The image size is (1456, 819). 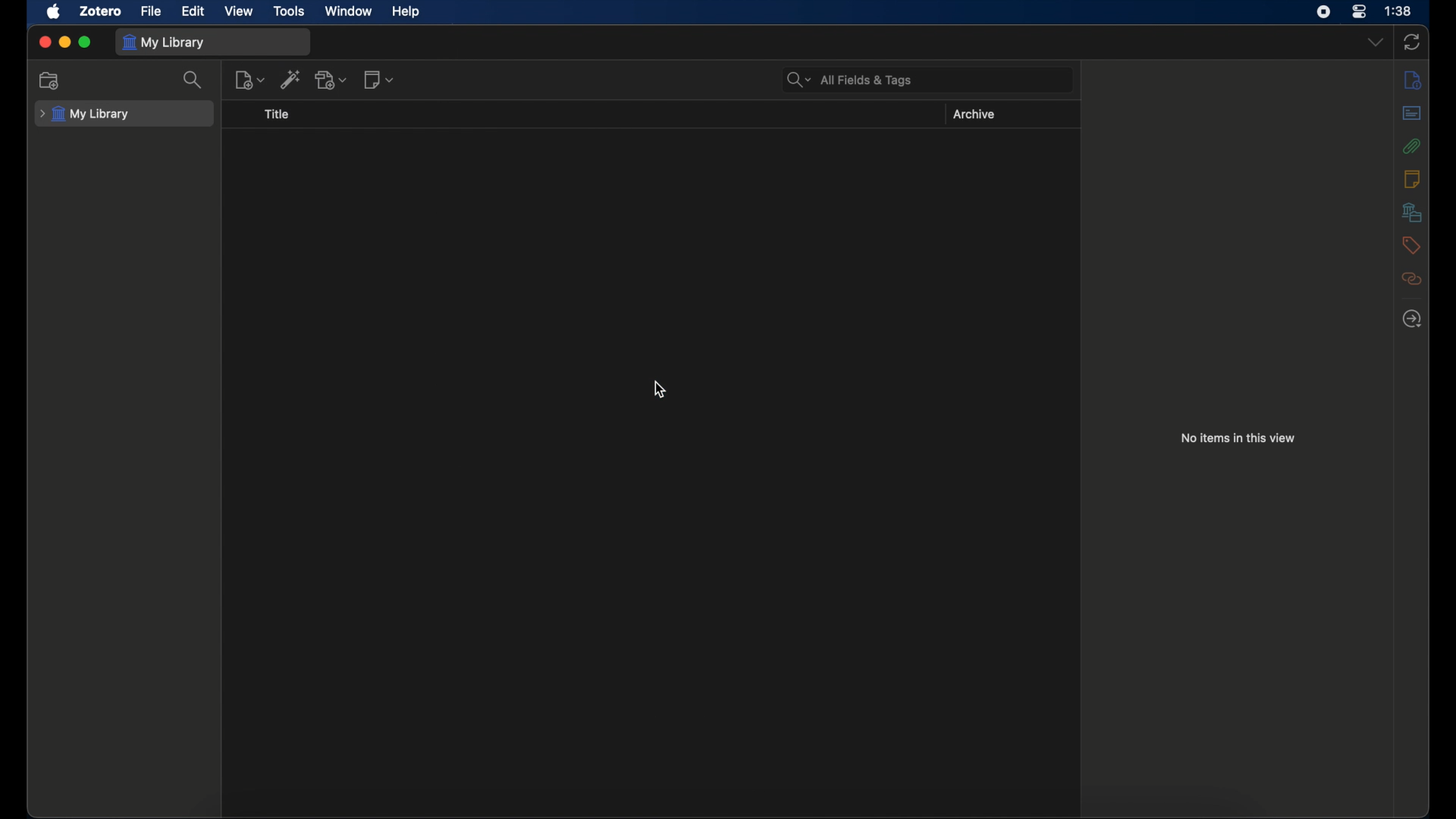 I want to click on view, so click(x=238, y=11).